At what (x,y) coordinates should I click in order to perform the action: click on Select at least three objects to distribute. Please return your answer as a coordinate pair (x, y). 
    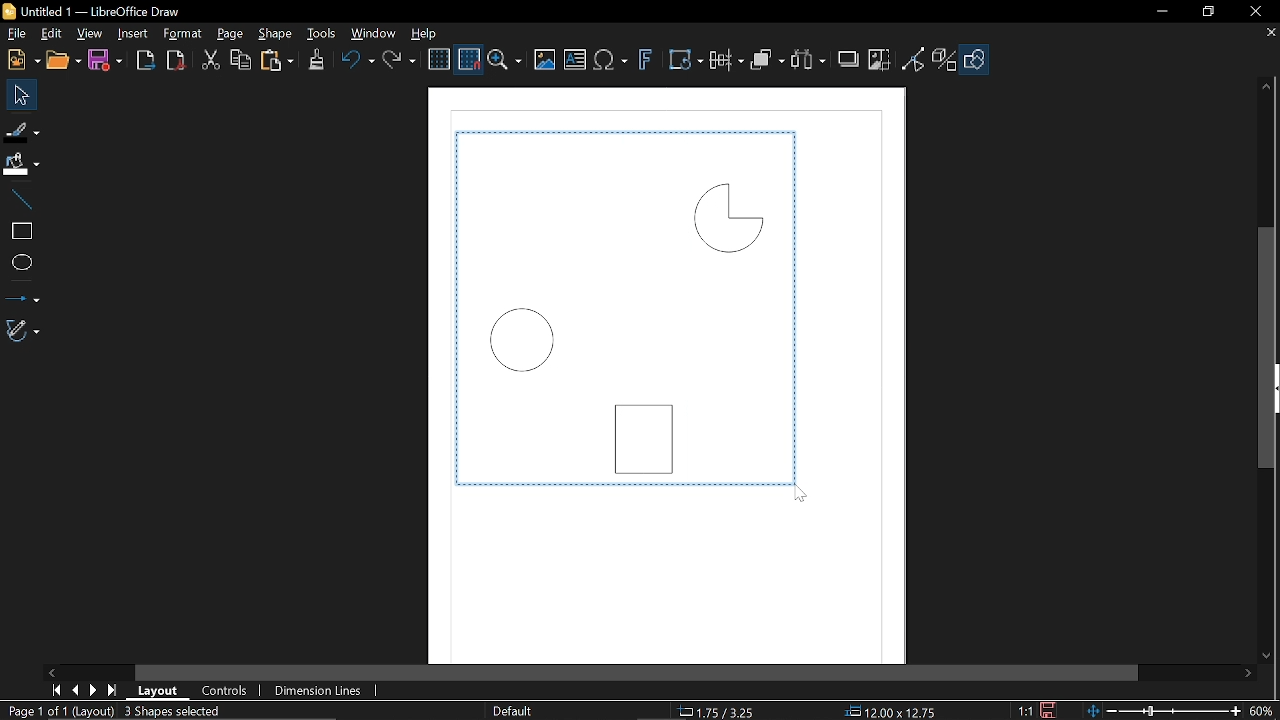
    Looking at the image, I should click on (810, 60).